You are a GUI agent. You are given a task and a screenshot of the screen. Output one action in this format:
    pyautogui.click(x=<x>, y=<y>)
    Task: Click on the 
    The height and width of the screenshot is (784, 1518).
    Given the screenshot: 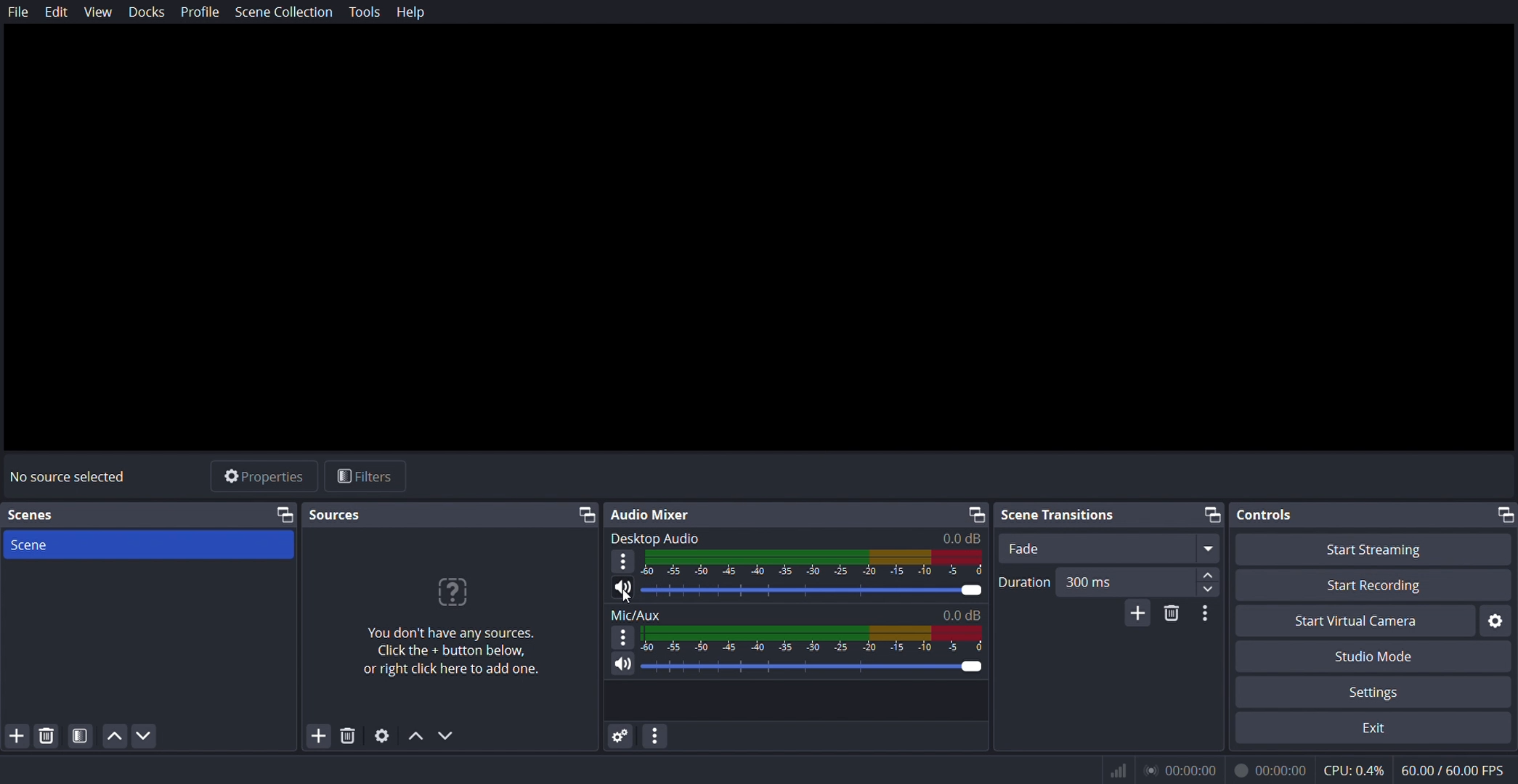 What is the action you would take?
    pyautogui.click(x=81, y=735)
    